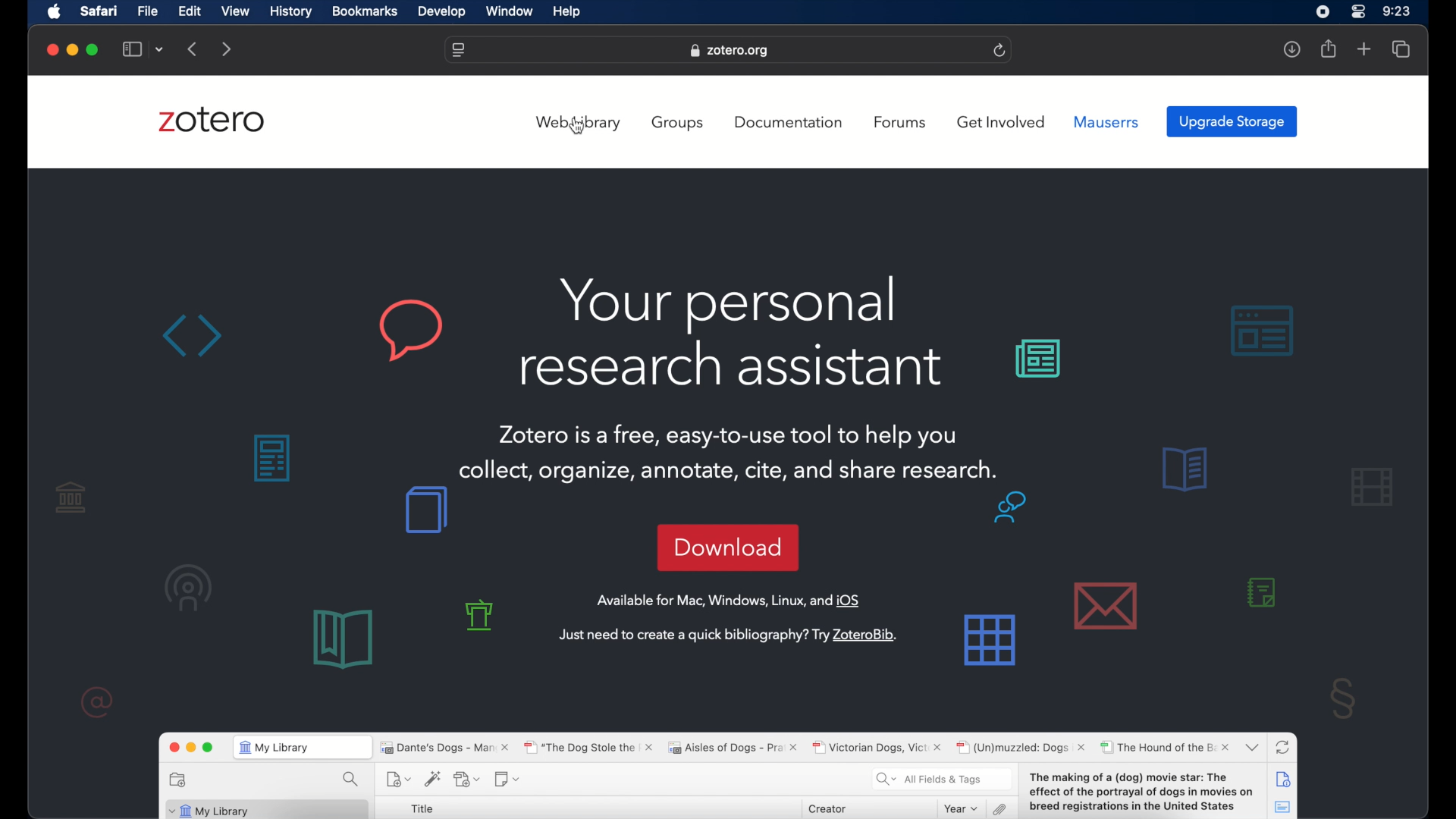 The height and width of the screenshot is (819, 1456). What do you see at coordinates (1329, 49) in the screenshot?
I see `share` at bounding box center [1329, 49].